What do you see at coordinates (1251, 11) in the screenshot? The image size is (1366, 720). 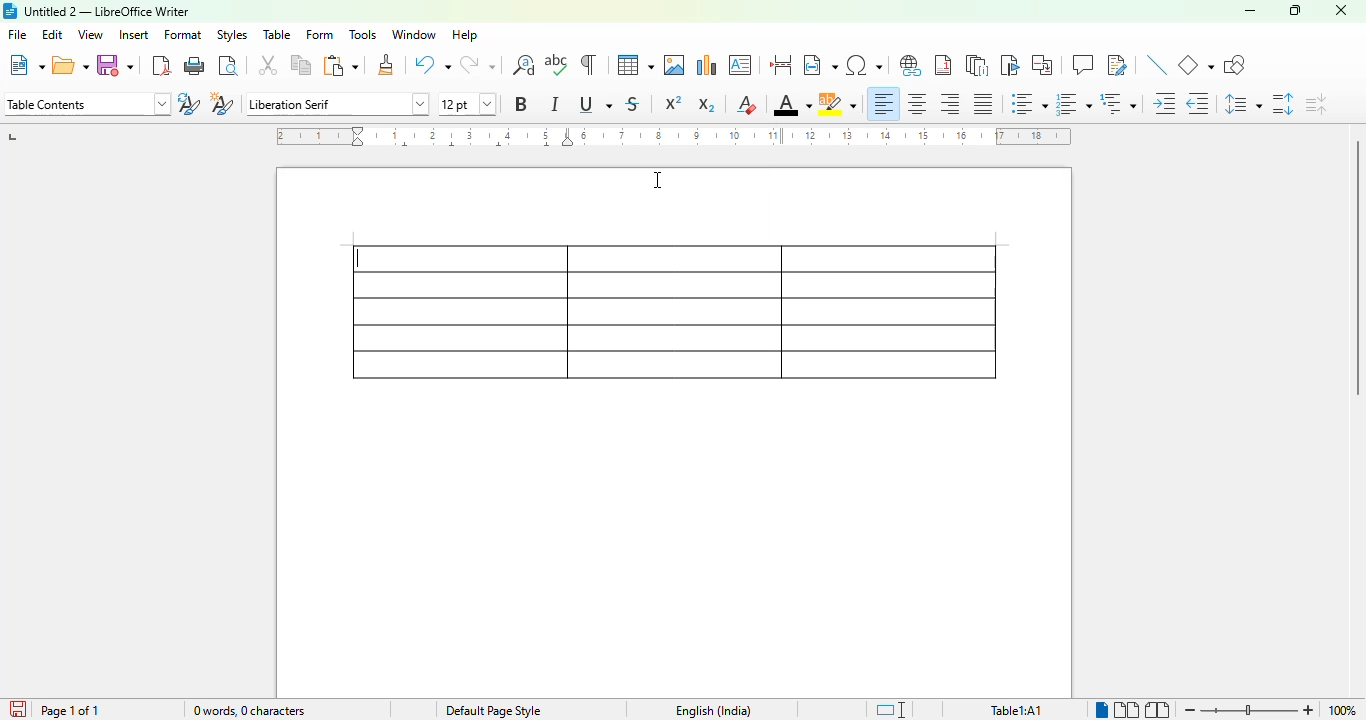 I see `minimize` at bounding box center [1251, 11].